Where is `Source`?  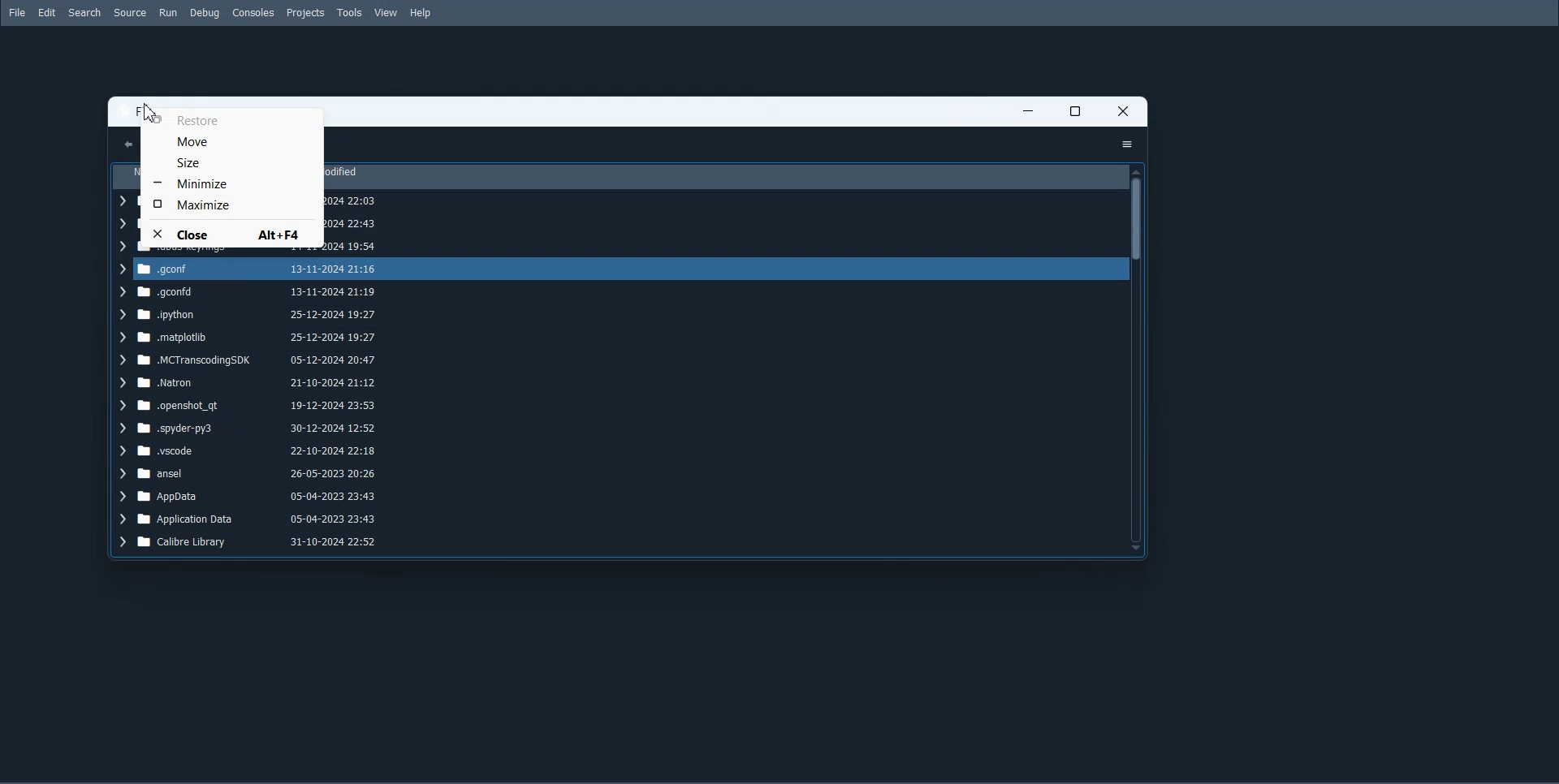 Source is located at coordinates (130, 13).